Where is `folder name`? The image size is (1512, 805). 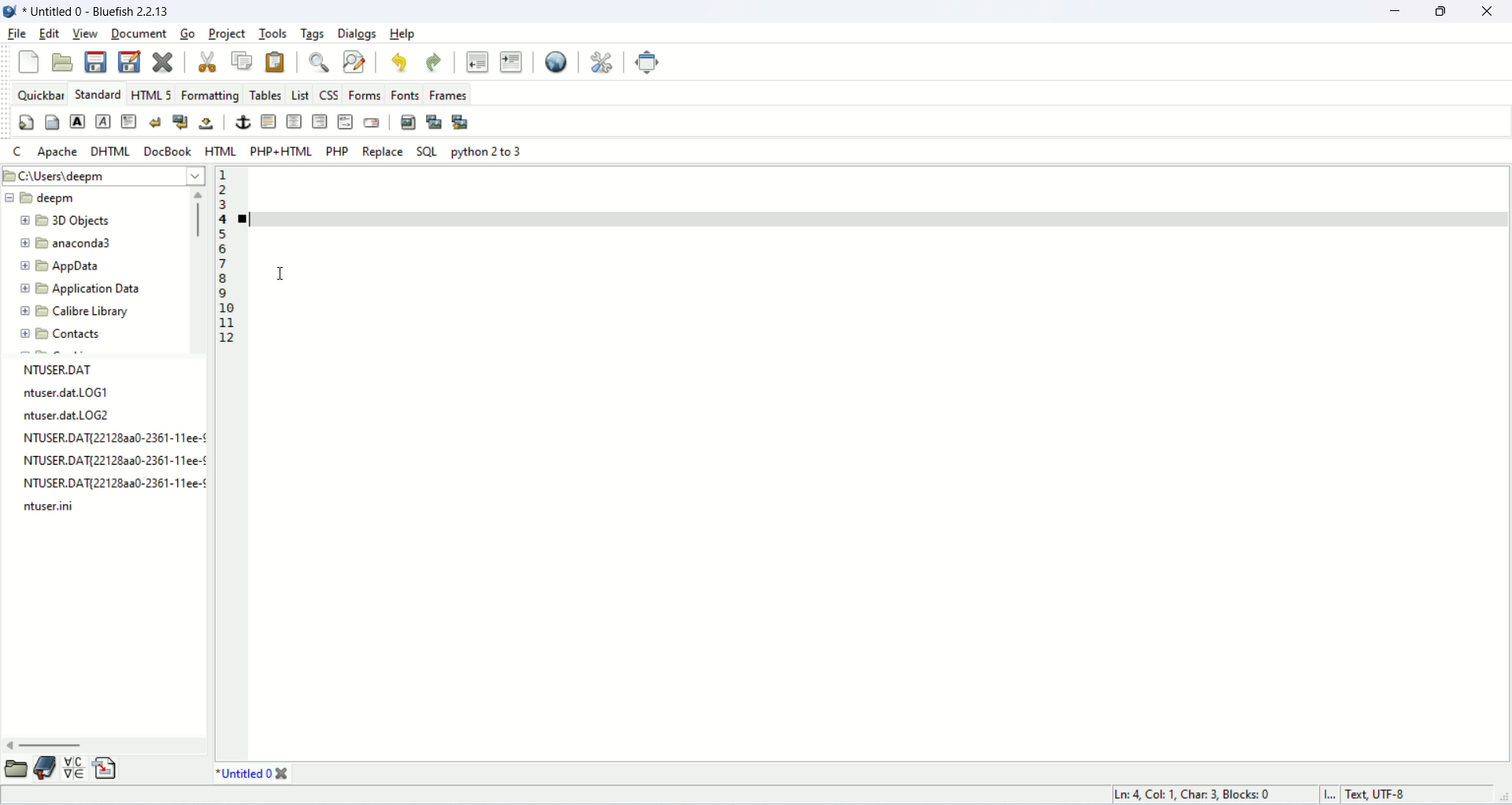 folder name is located at coordinates (96, 265).